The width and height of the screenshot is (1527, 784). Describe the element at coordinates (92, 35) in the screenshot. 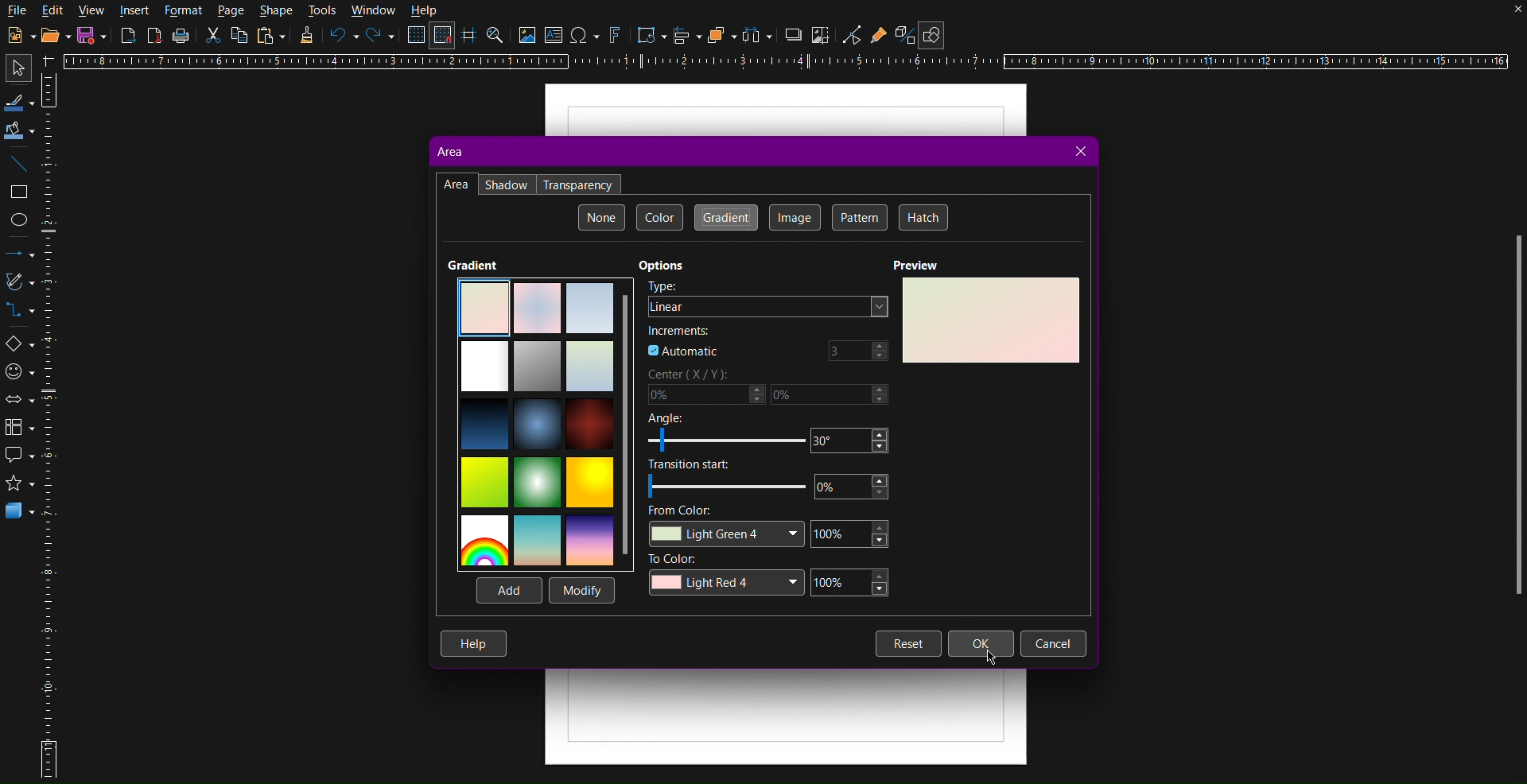

I see `Save` at that location.